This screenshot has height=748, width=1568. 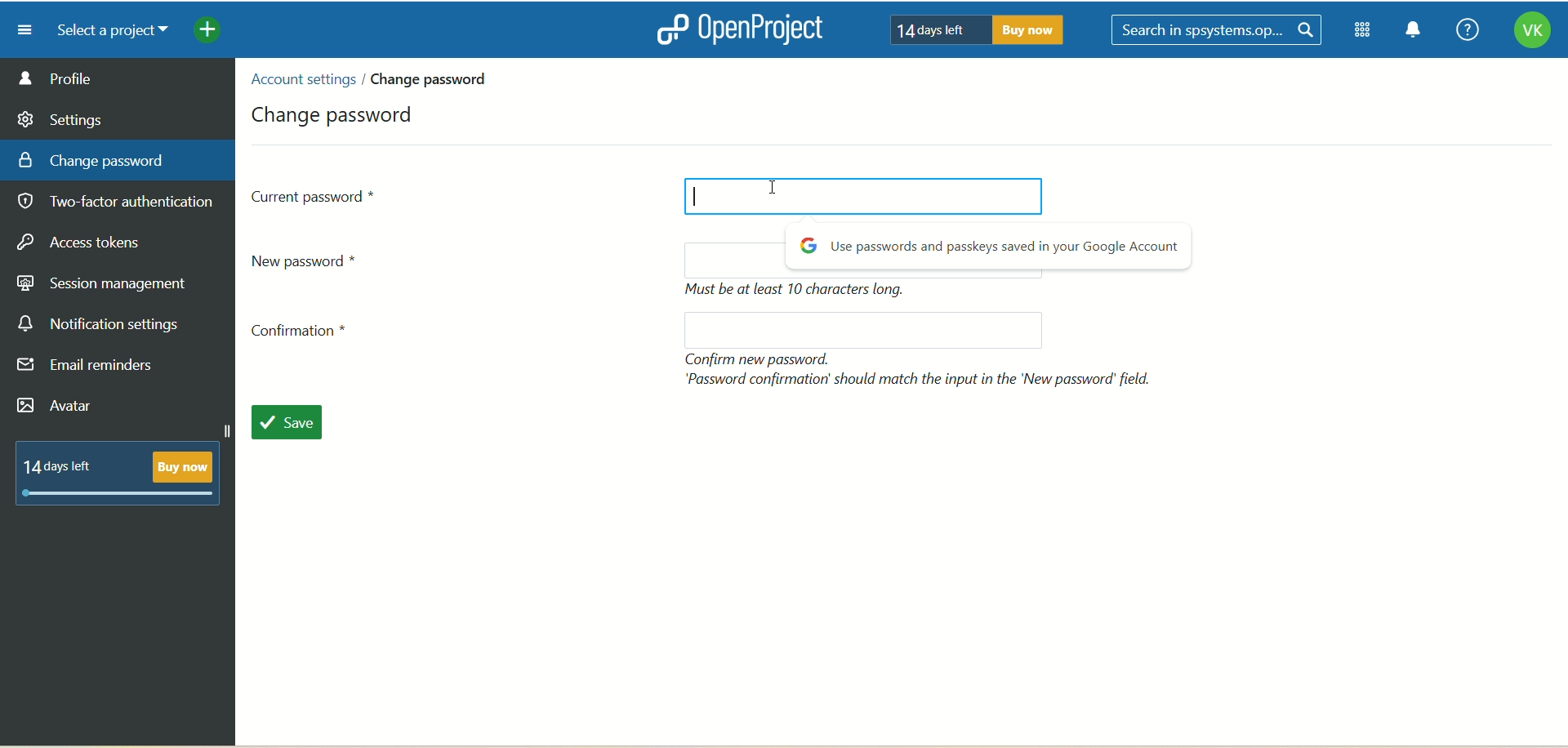 I want to click on change password, so click(x=435, y=78).